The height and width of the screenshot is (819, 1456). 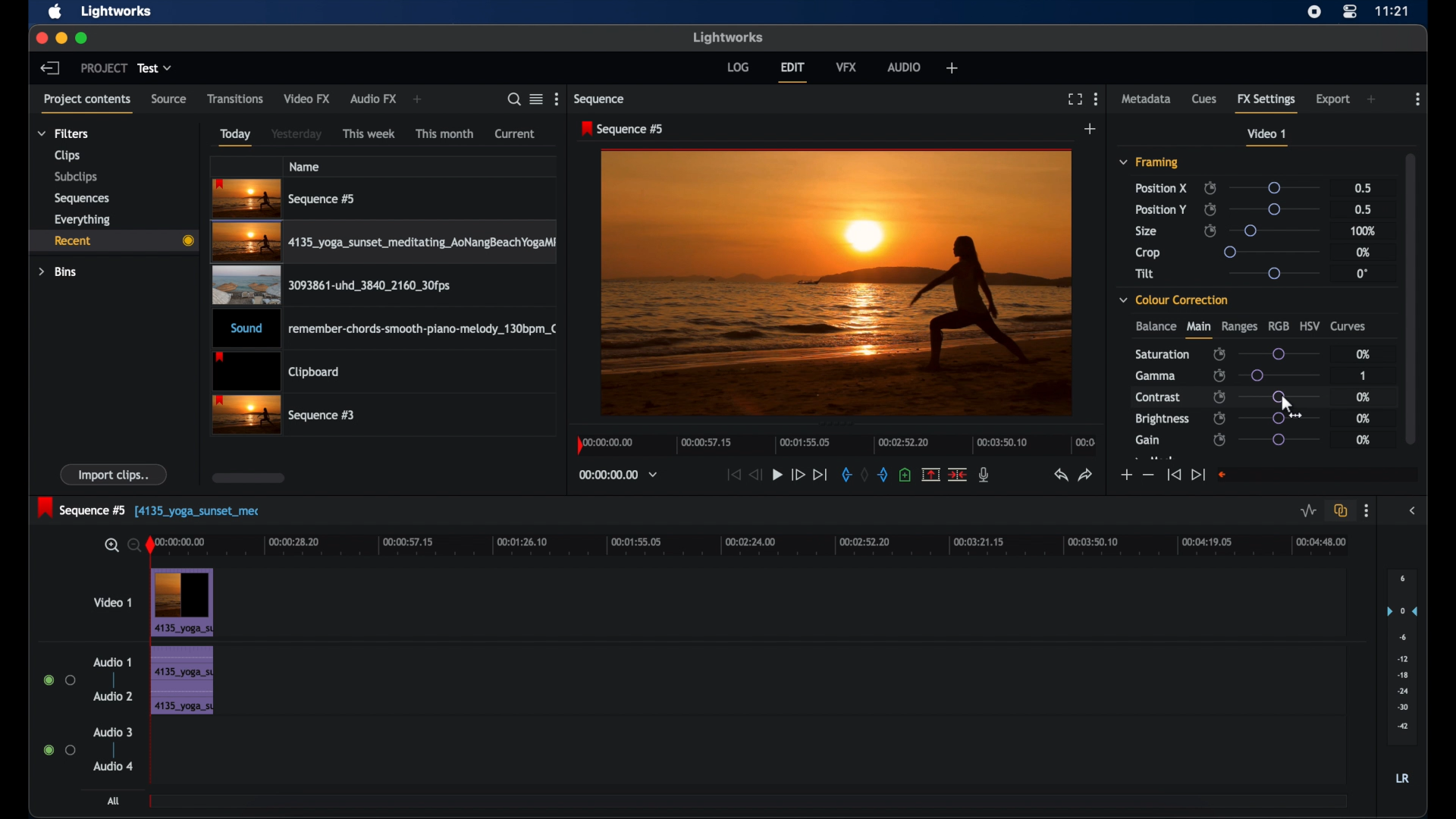 What do you see at coordinates (1362, 353) in the screenshot?
I see `0%` at bounding box center [1362, 353].